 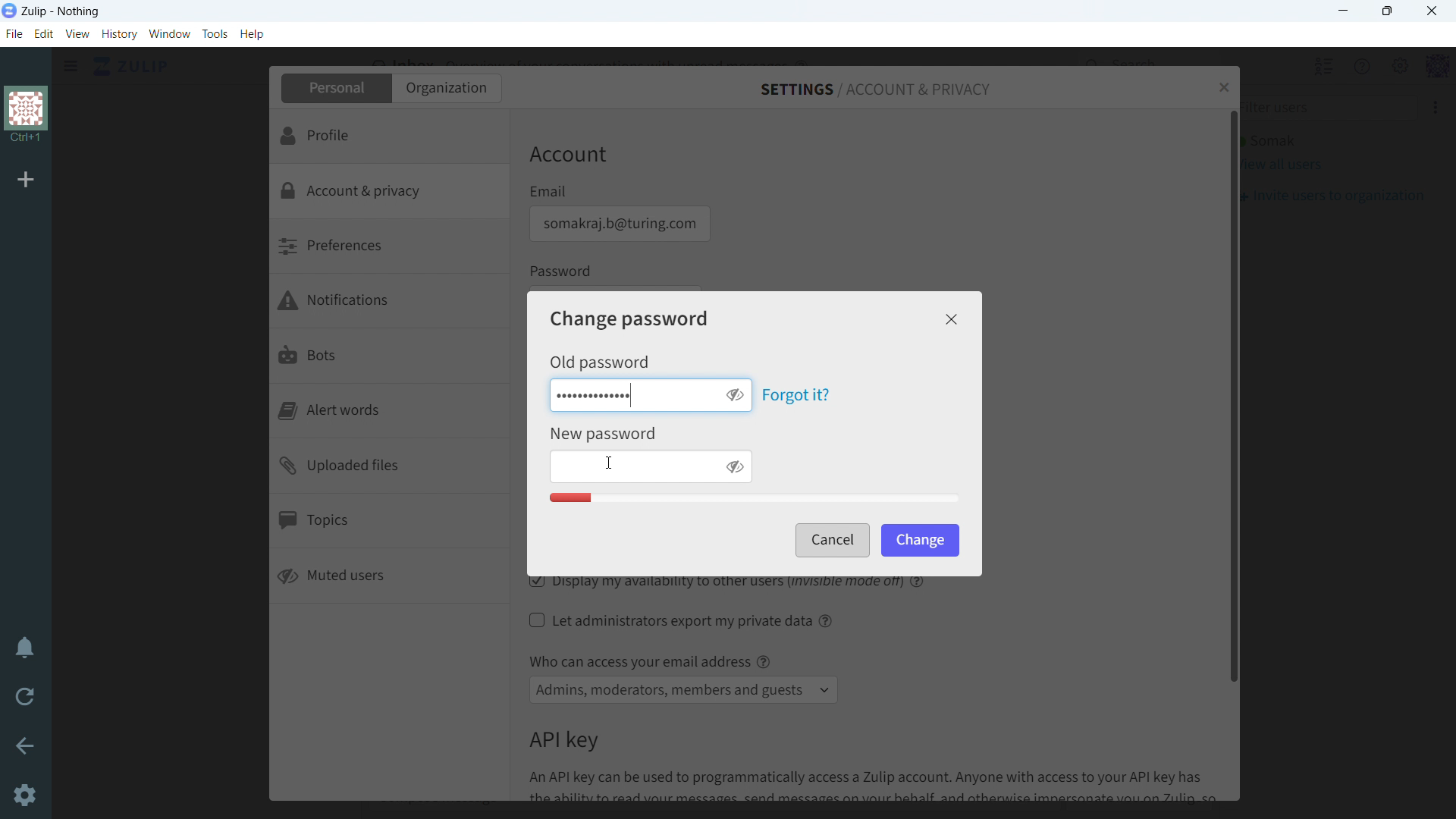 What do you see at coordinates (549, 191) in the screenshot?
I see `Email` at bounding box center [549, 191].